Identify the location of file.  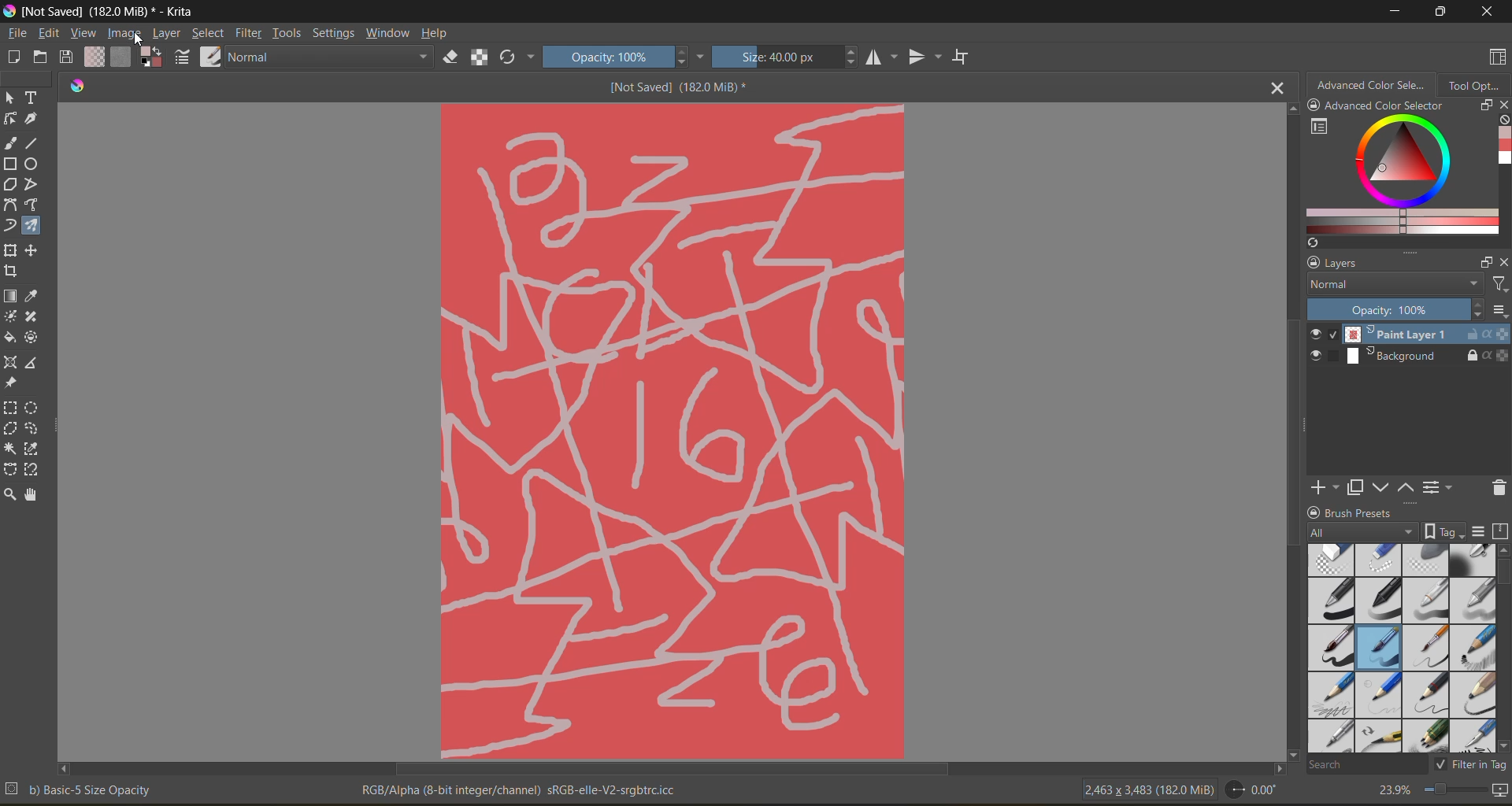
(20, 34).